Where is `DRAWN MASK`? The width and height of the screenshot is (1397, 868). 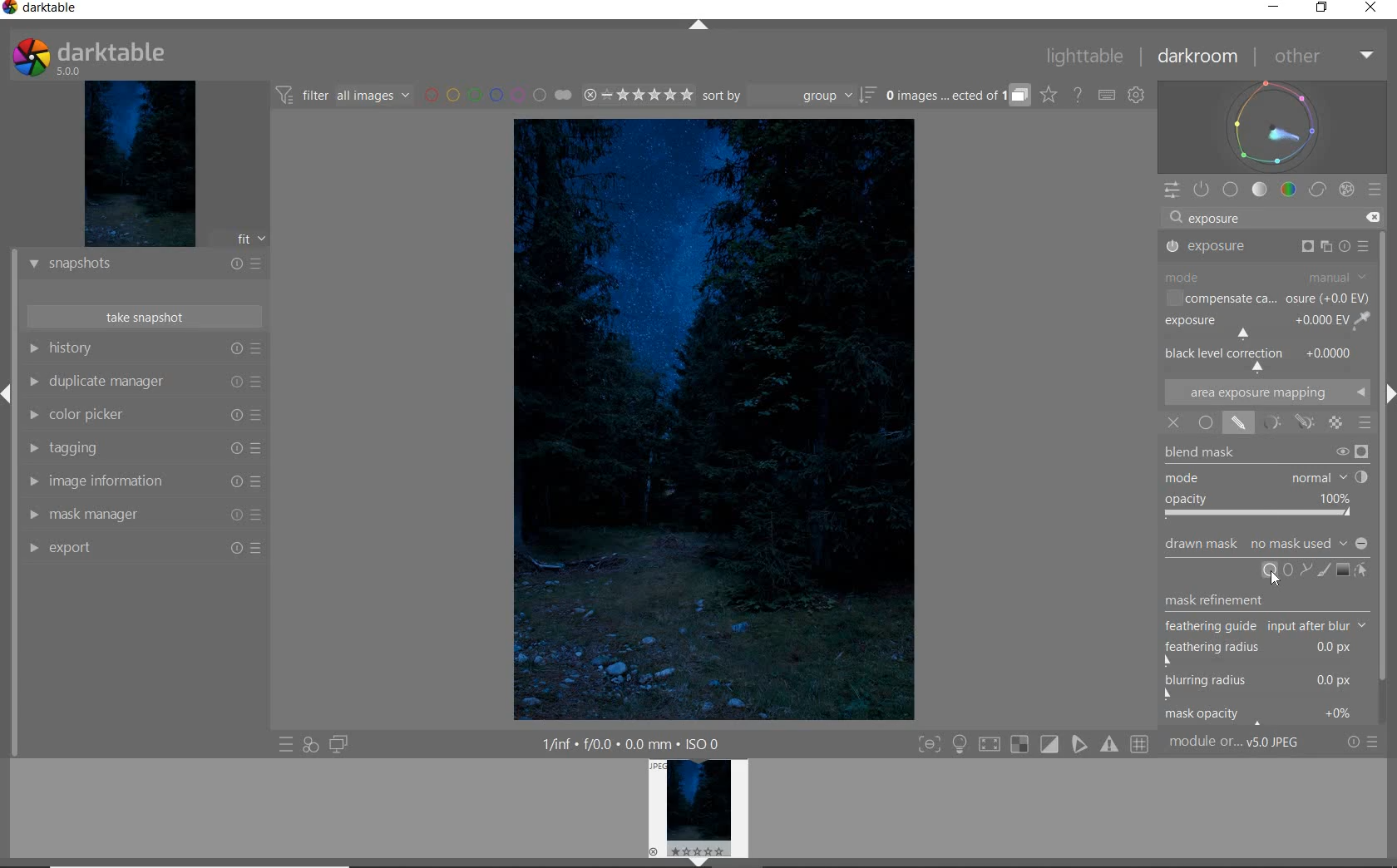
DRAWN MASK is located at coordinates (1264, 544).